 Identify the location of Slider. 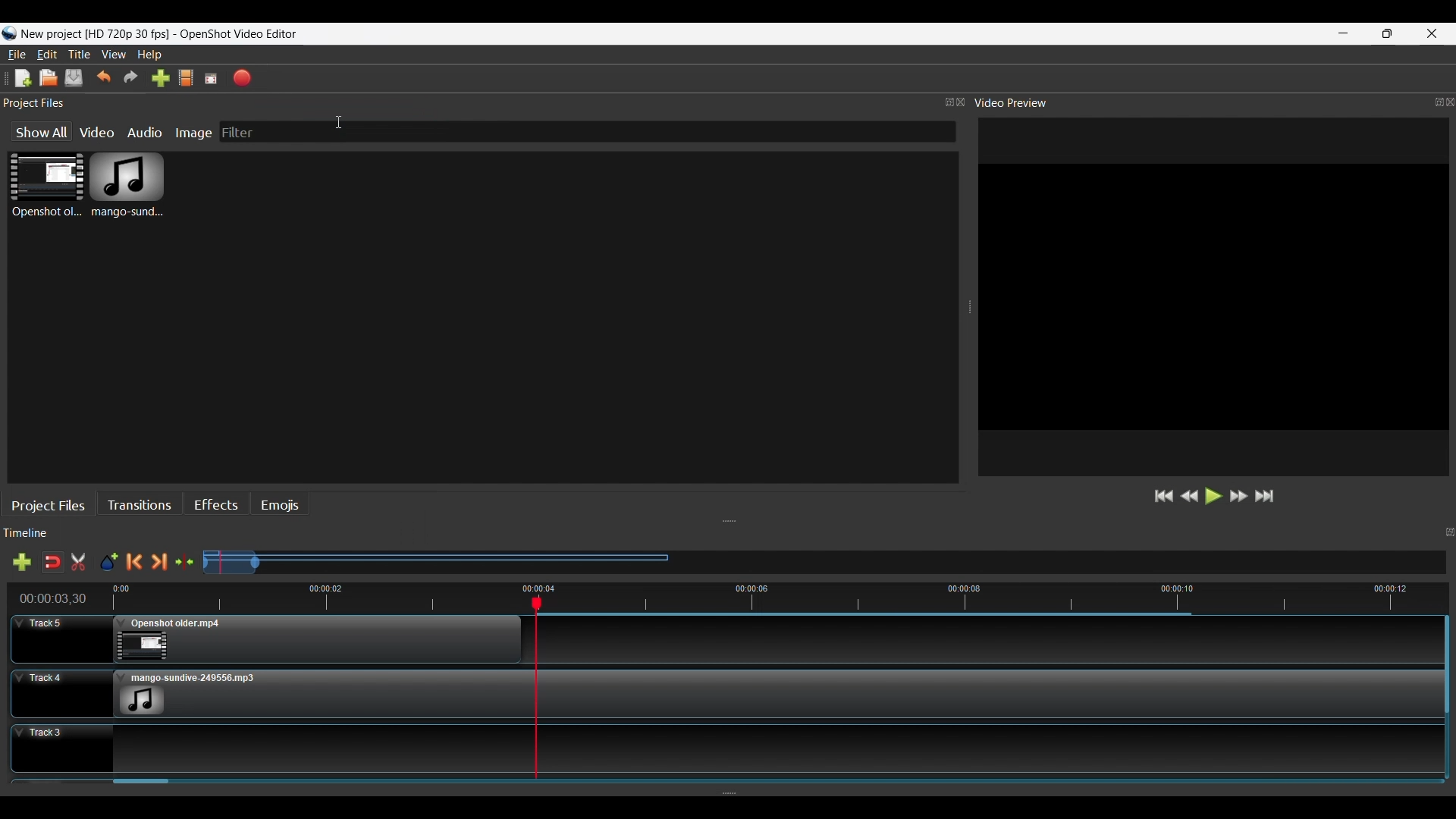
(785, 783).